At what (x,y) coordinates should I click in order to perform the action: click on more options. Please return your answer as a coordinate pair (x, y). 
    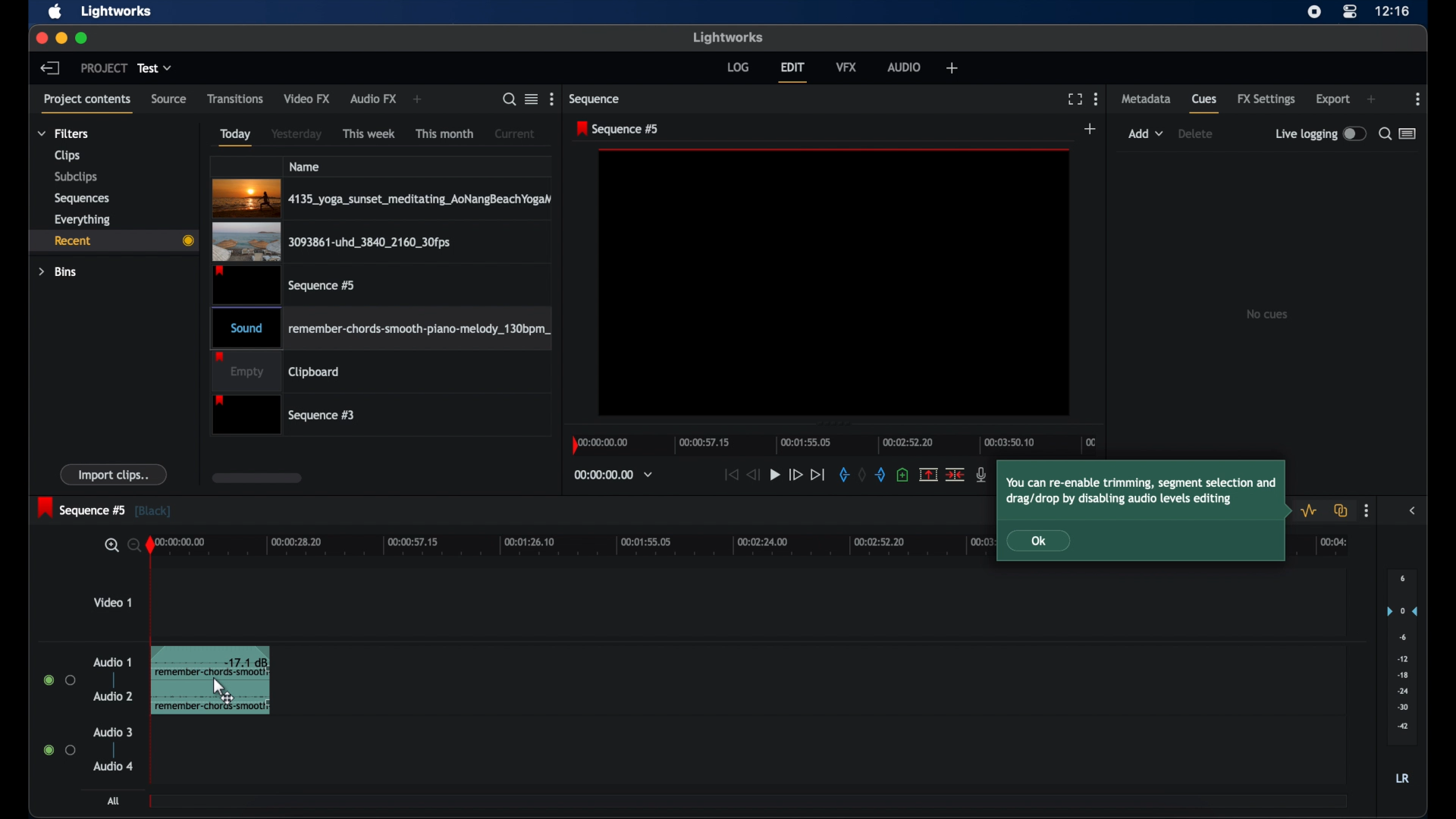
    Looking at the image, I should click on (1419, 99).